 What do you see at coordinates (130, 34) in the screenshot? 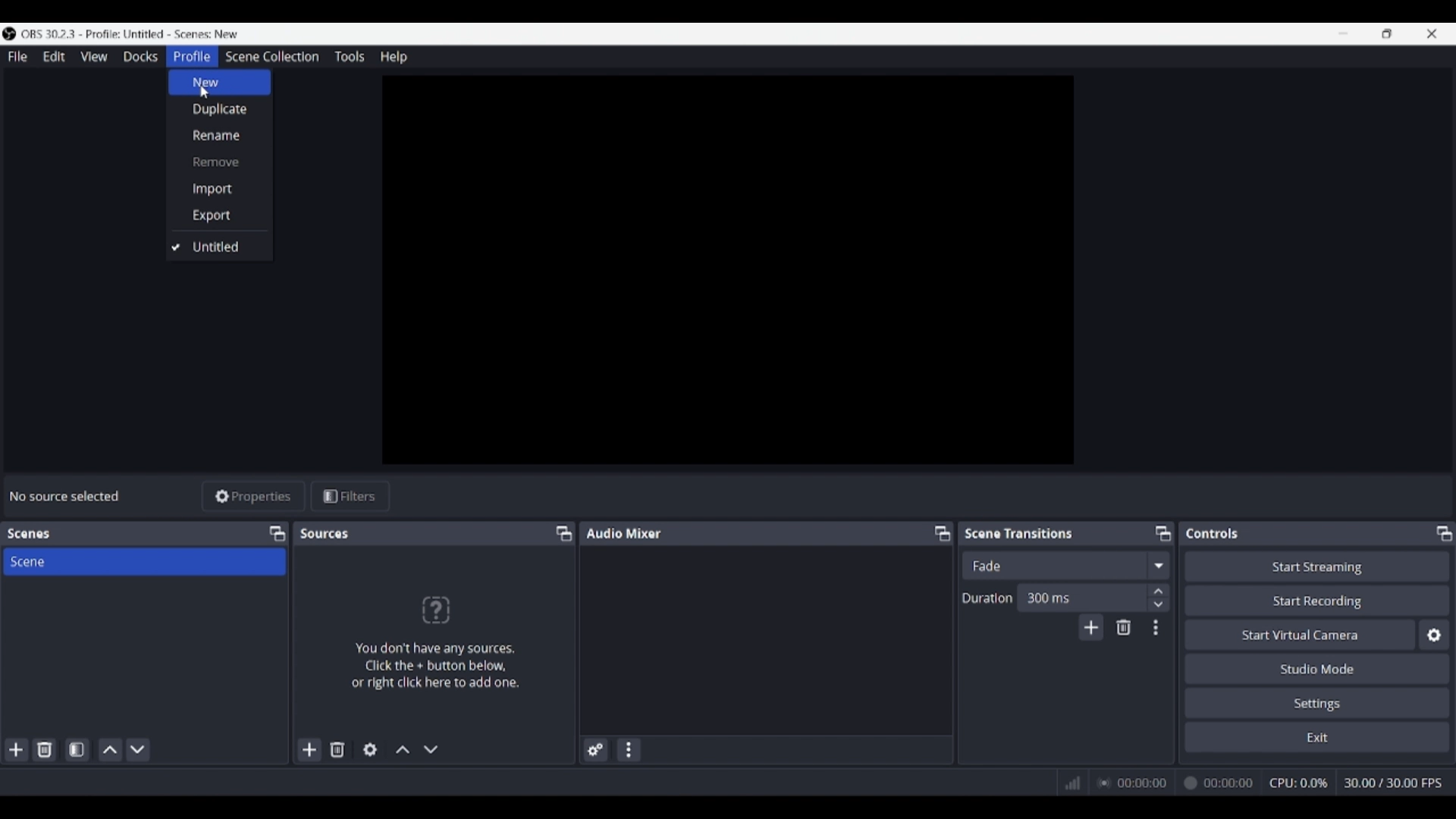
I see `Software and project name` at bounding box center [130, 34].